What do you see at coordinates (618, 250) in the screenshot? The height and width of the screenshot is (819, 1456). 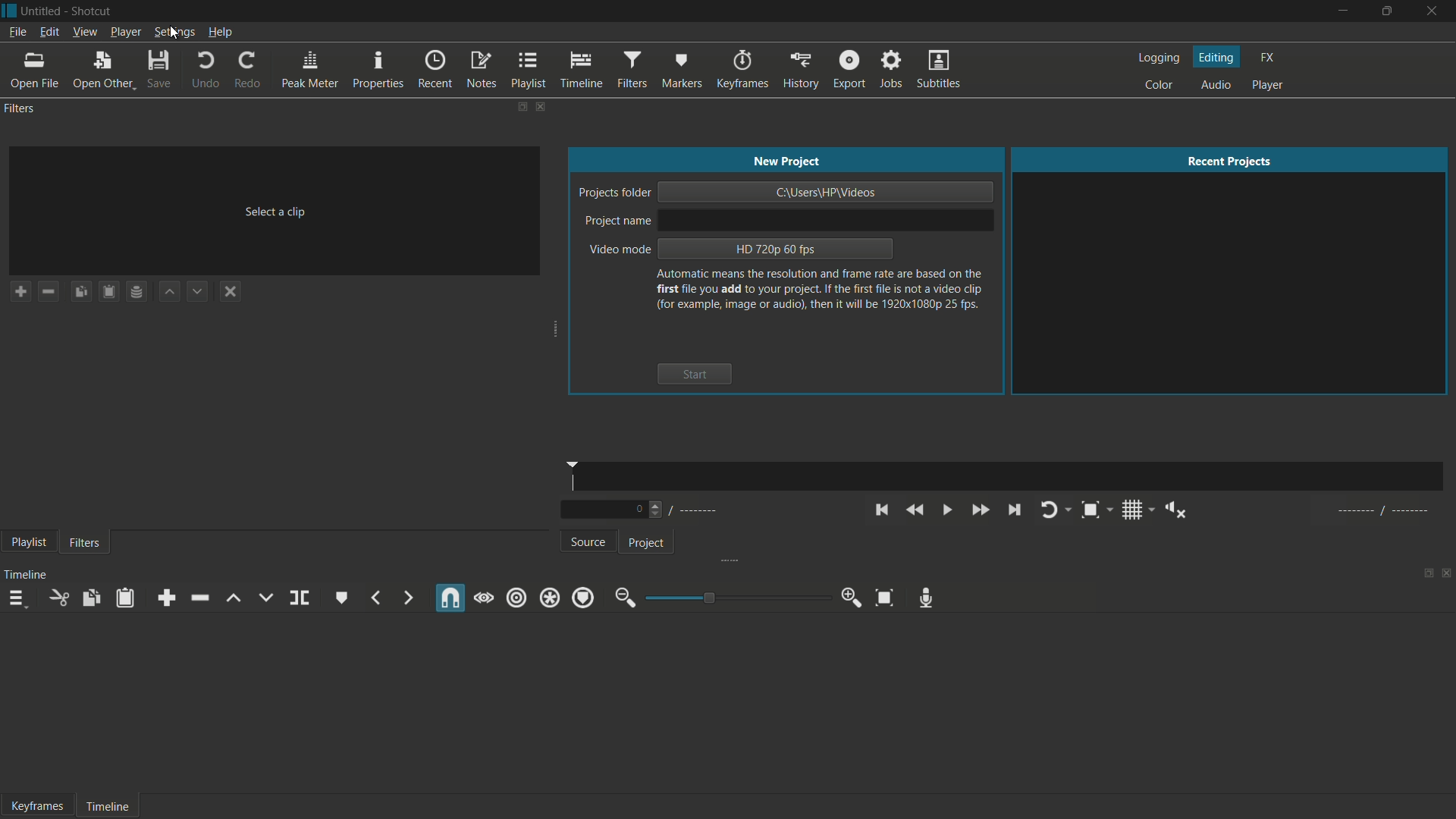 I see `video mode` at bounding box center [618, 250].